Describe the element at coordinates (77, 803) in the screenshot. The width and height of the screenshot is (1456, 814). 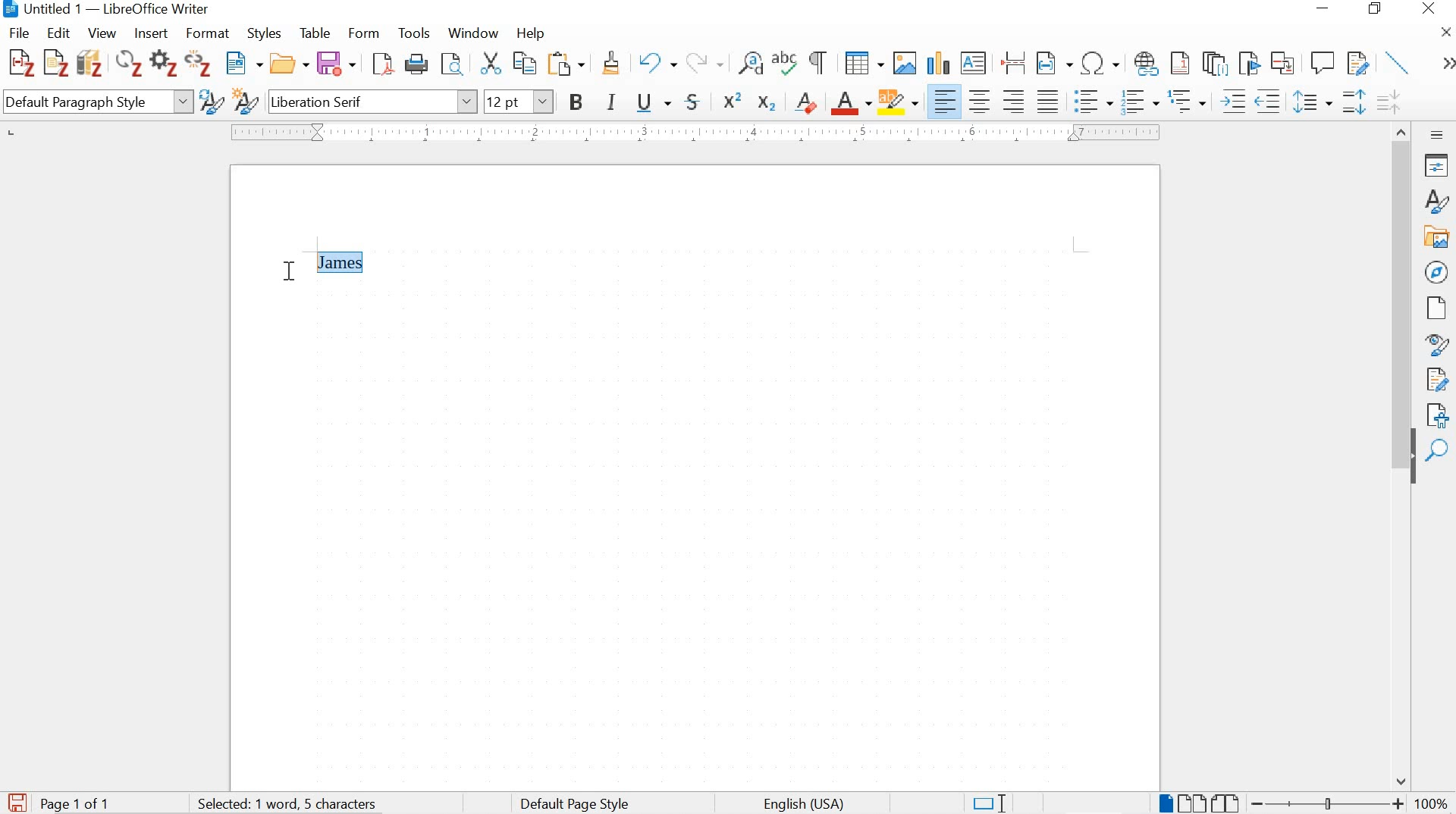
I see `page 1 of 1` at that location.